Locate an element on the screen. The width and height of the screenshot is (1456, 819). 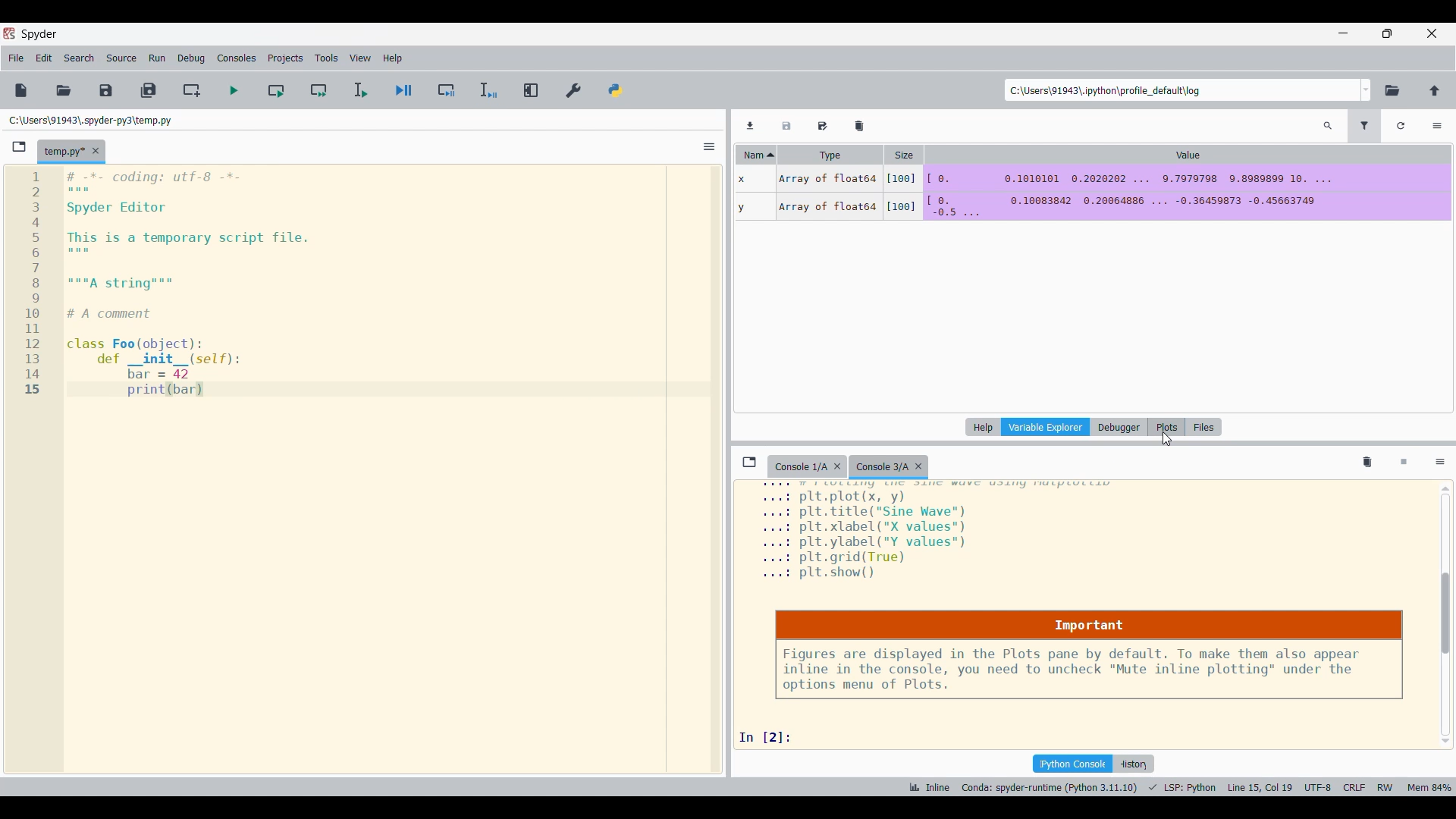
Browse tabs is located at coordinates (749, 462).